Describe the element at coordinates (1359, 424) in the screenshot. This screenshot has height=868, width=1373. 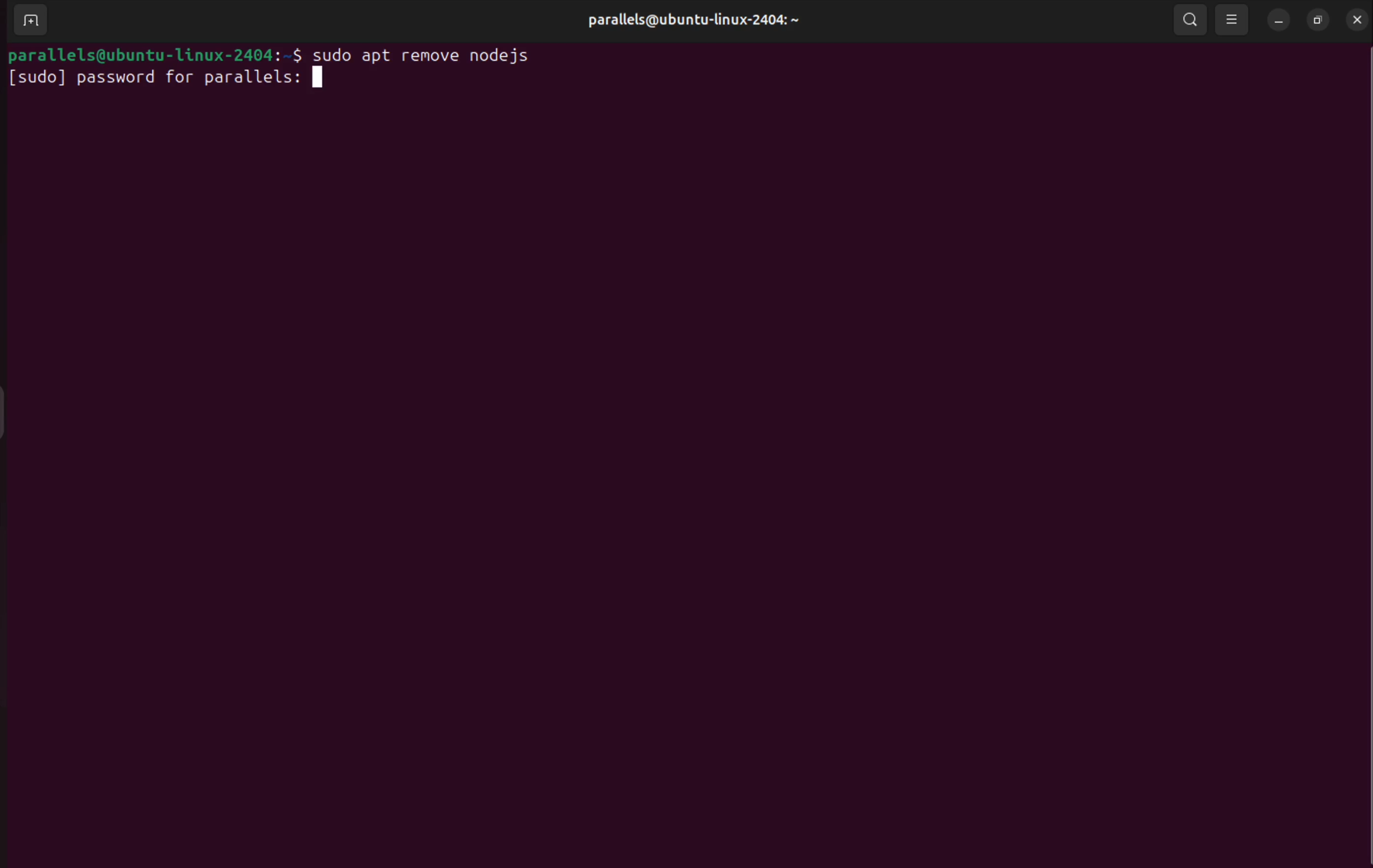
I see `Scrollbar` at that location.